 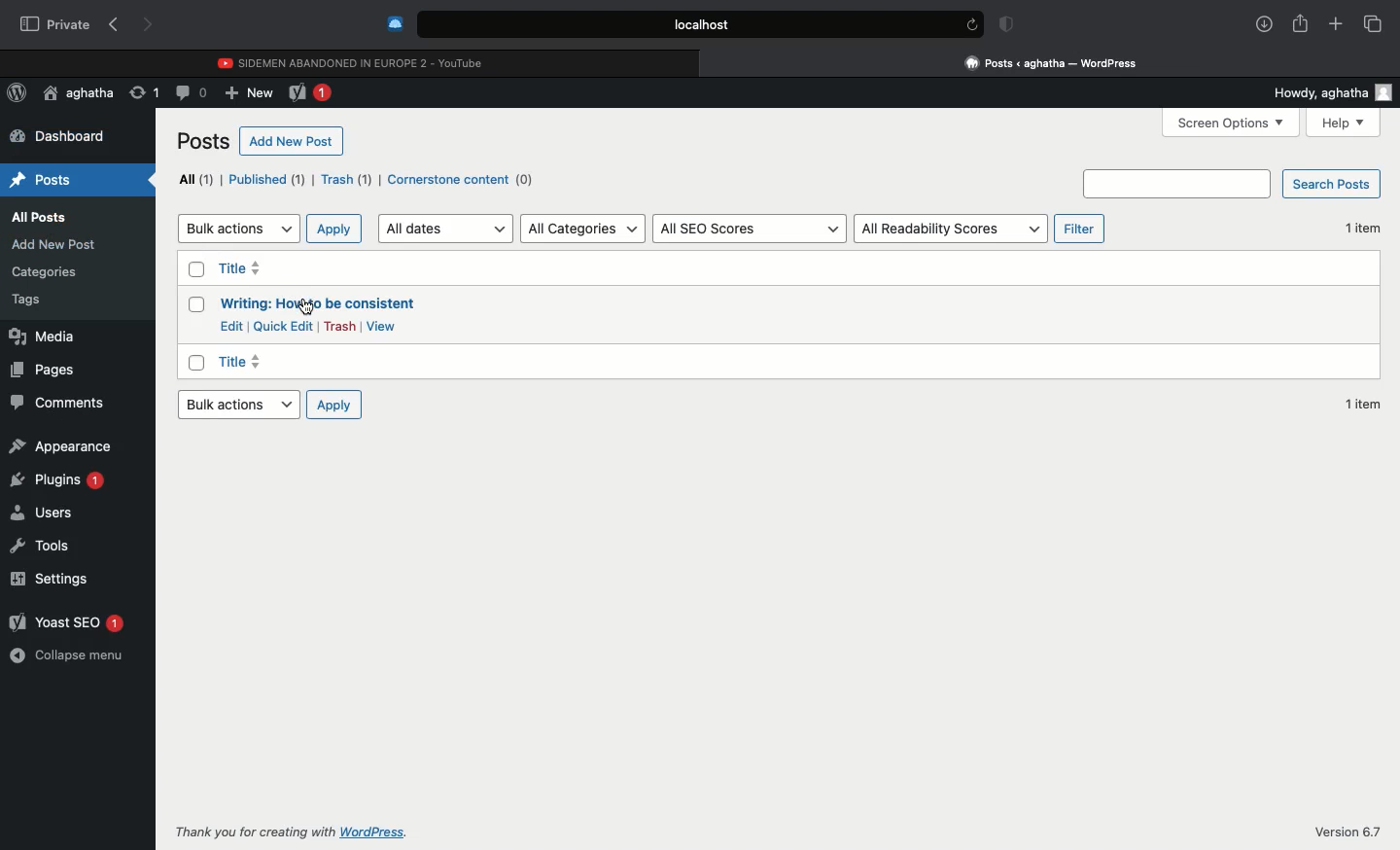 I want to click on New tab, so click(x=1336, y=24).